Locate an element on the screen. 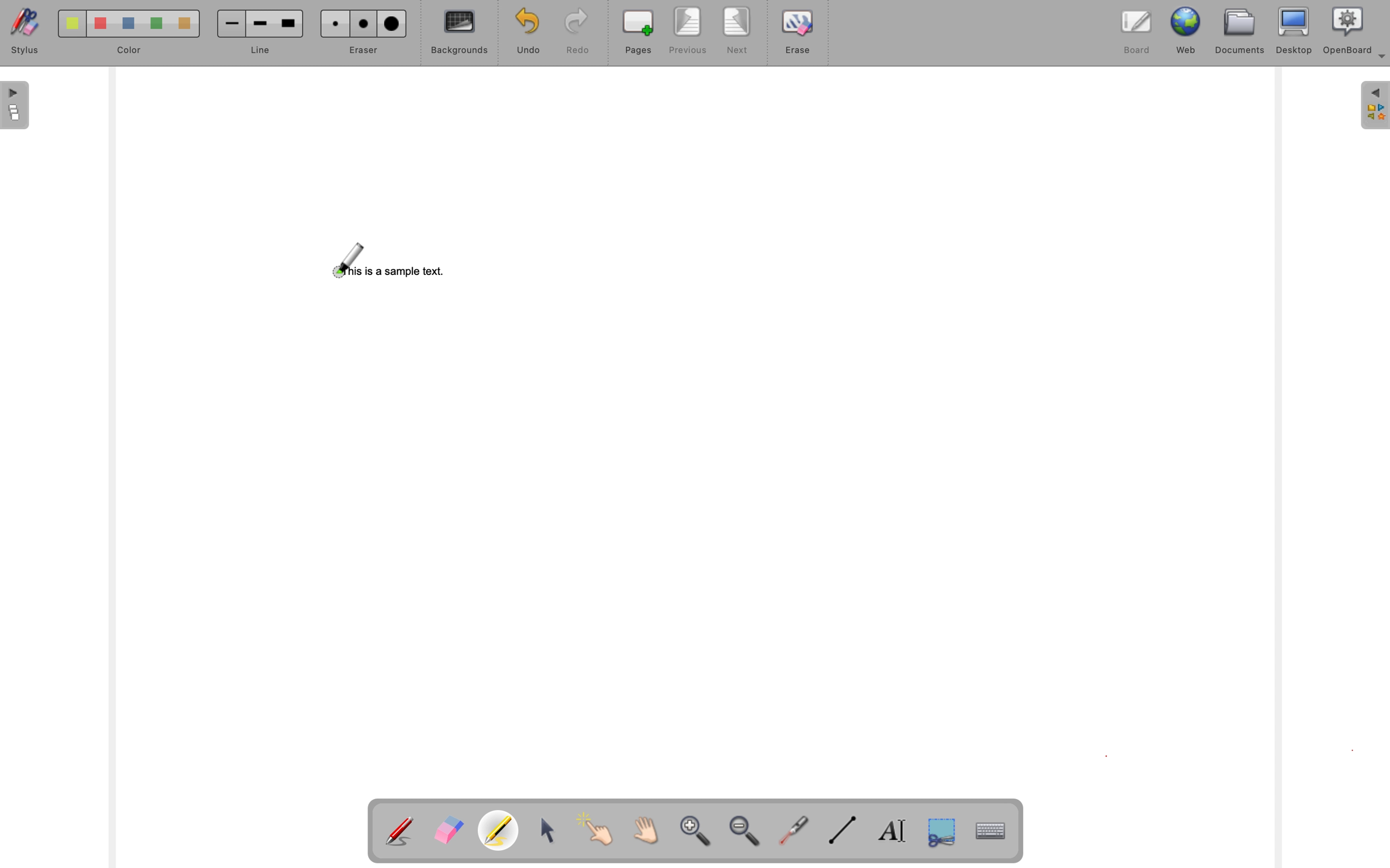 The width and height of the screenshot is (1390, 868). Highlight is located at coordinates (502, 828).